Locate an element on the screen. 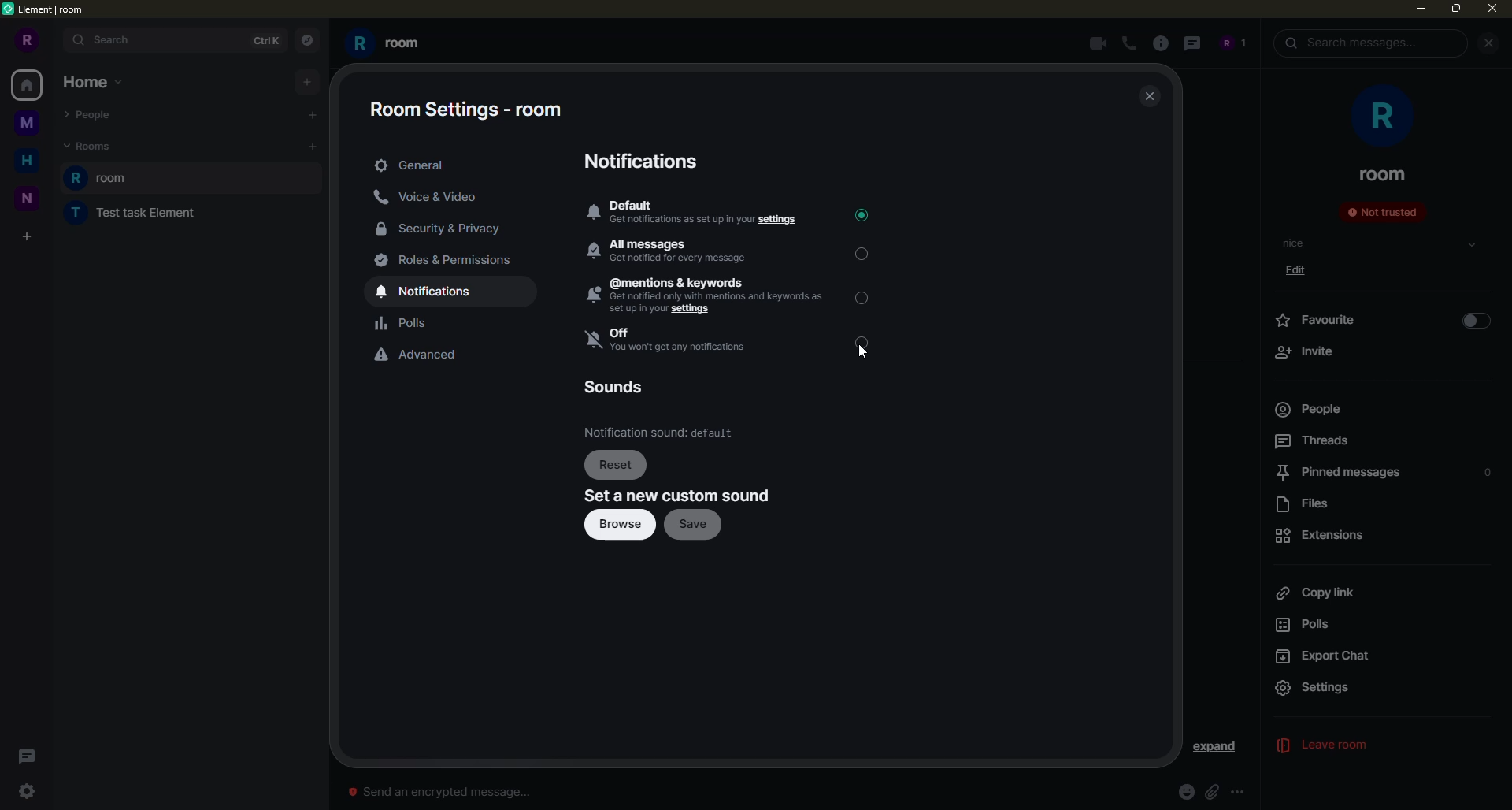  home is located at coordinates (93, 83).